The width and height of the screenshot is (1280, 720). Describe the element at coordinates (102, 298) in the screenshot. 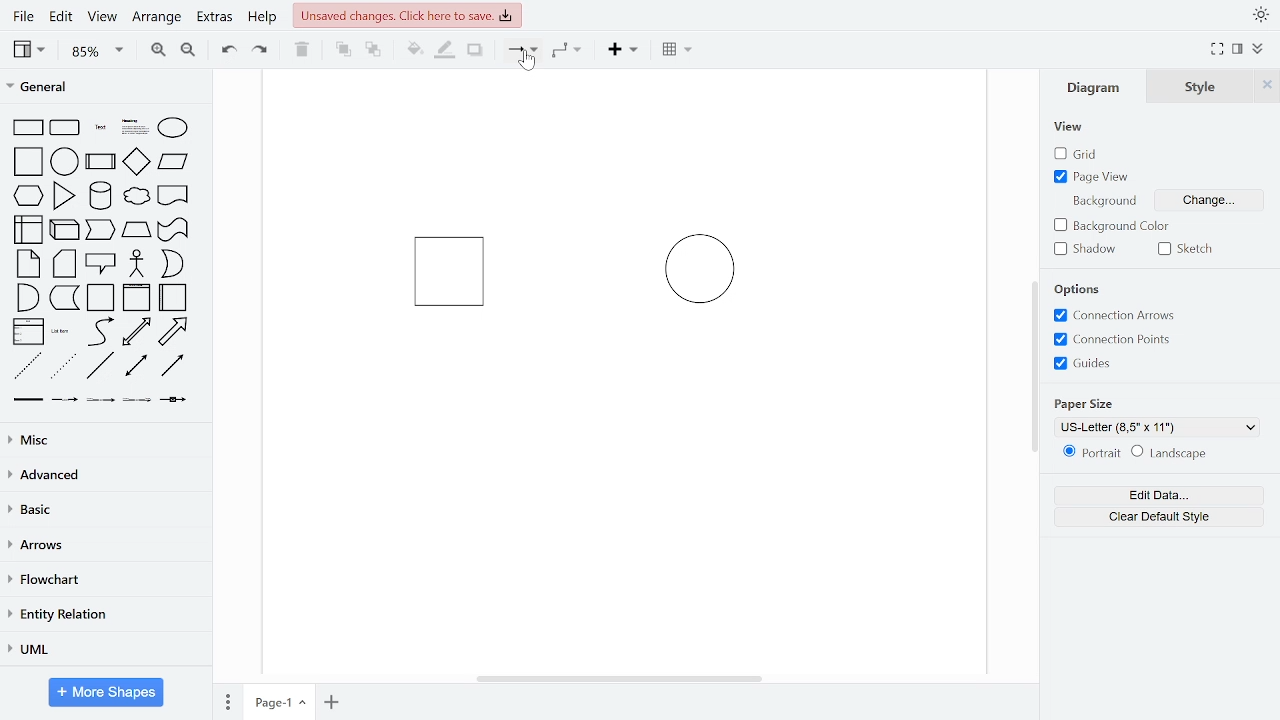

I see `container` at that location.